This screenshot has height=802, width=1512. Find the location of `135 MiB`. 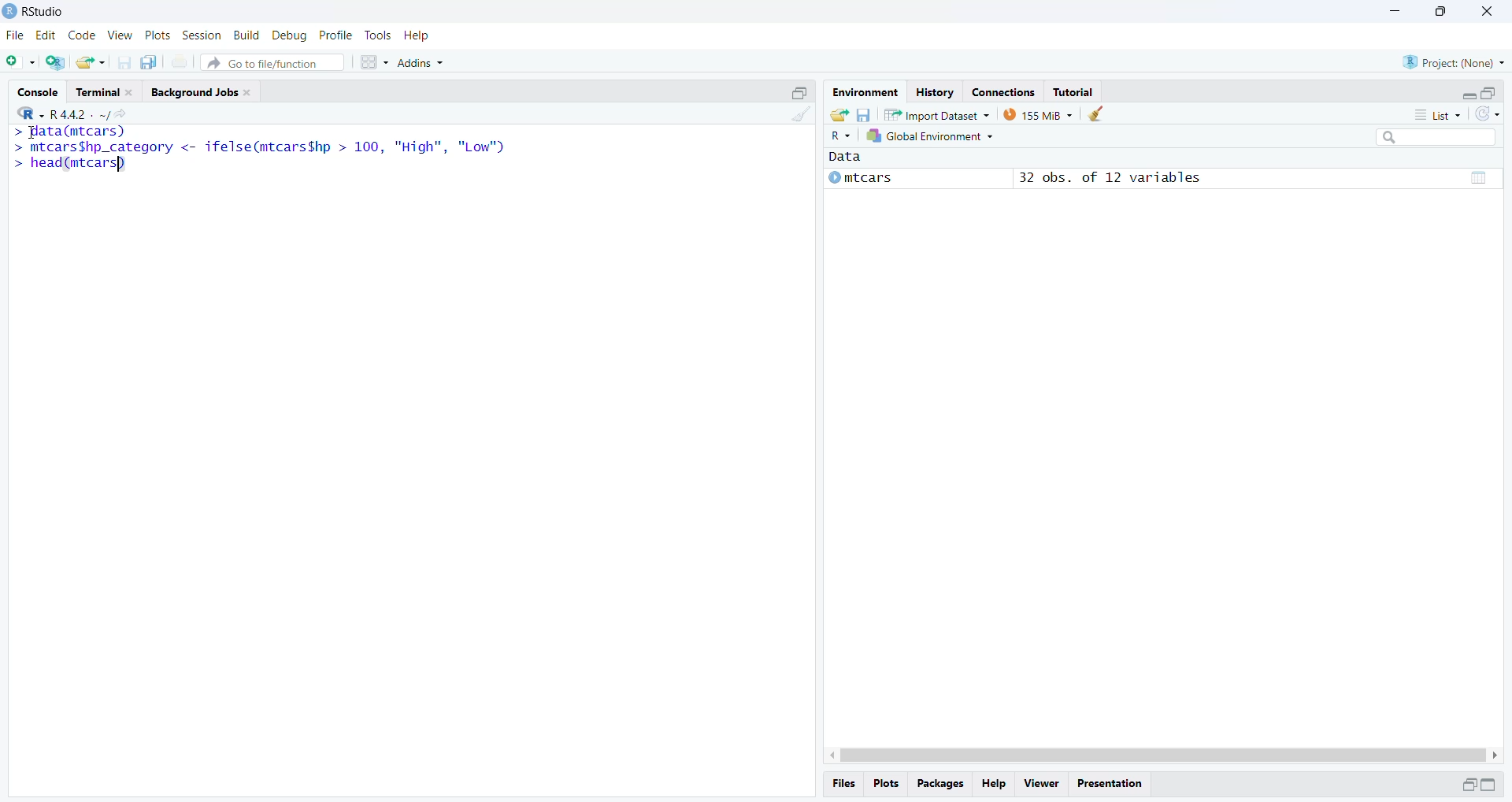

135 MiB is located at coordinates (1038, 114).